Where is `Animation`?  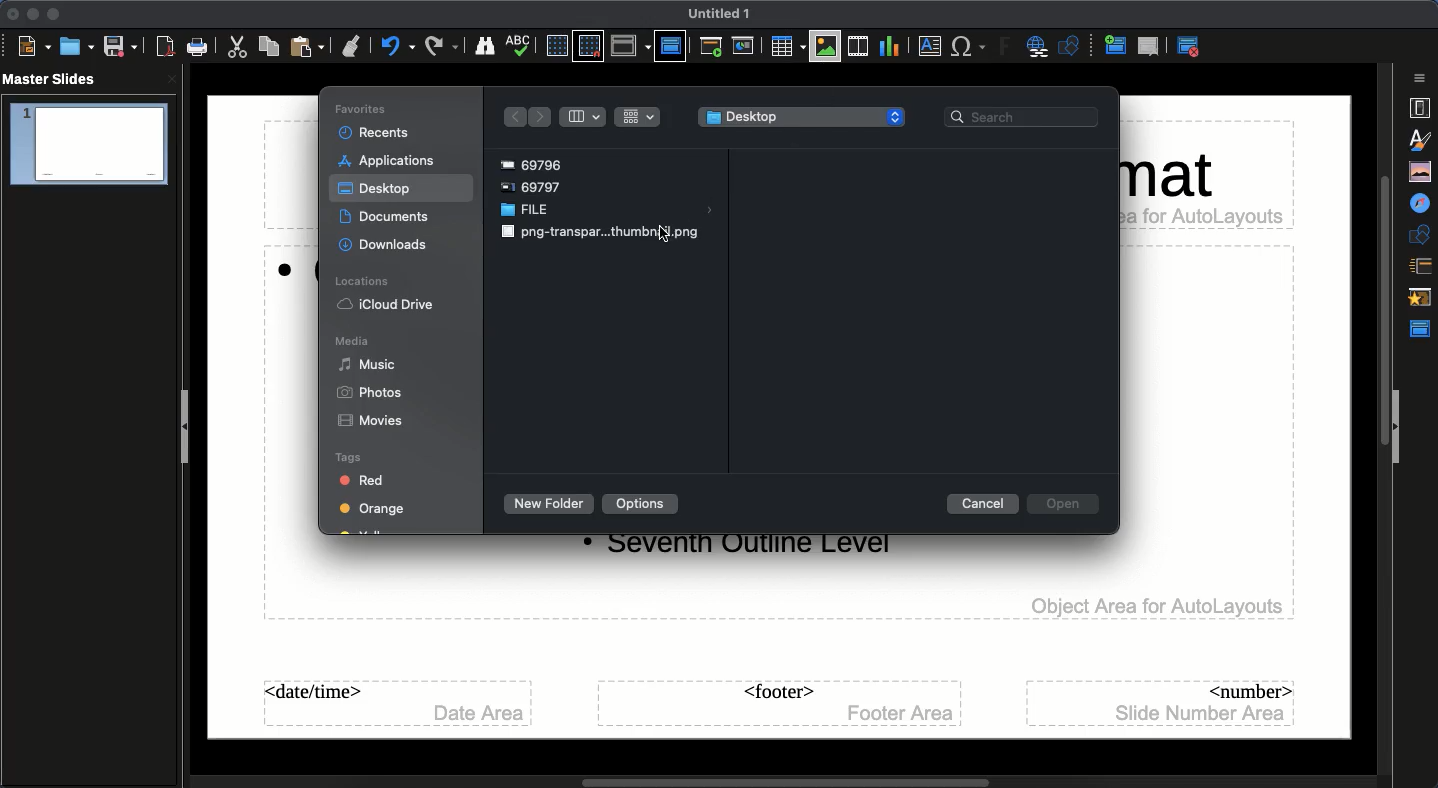
Animation is located at coordinates (1422, 299).